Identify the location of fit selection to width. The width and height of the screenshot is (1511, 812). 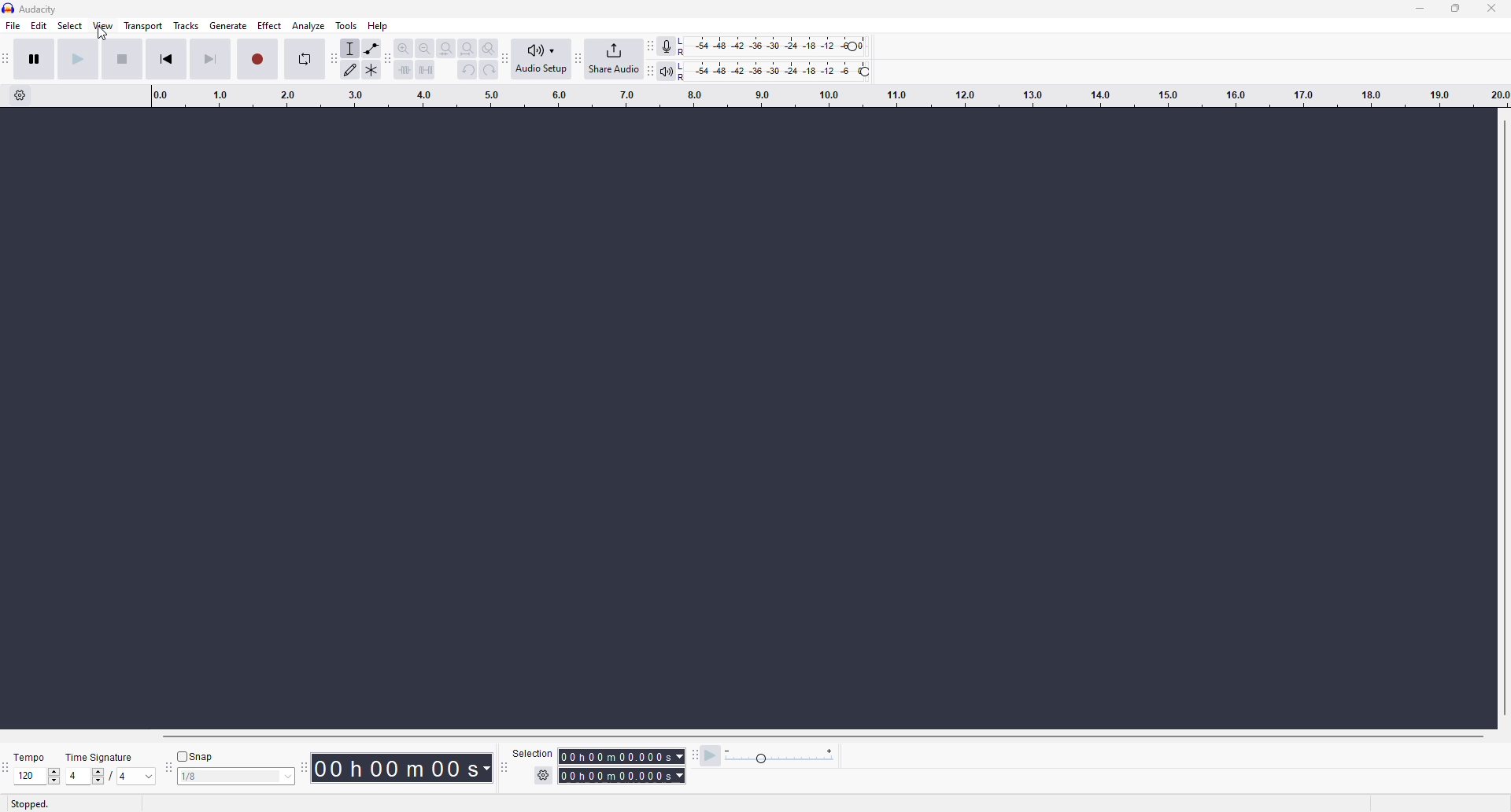
(446, 48).